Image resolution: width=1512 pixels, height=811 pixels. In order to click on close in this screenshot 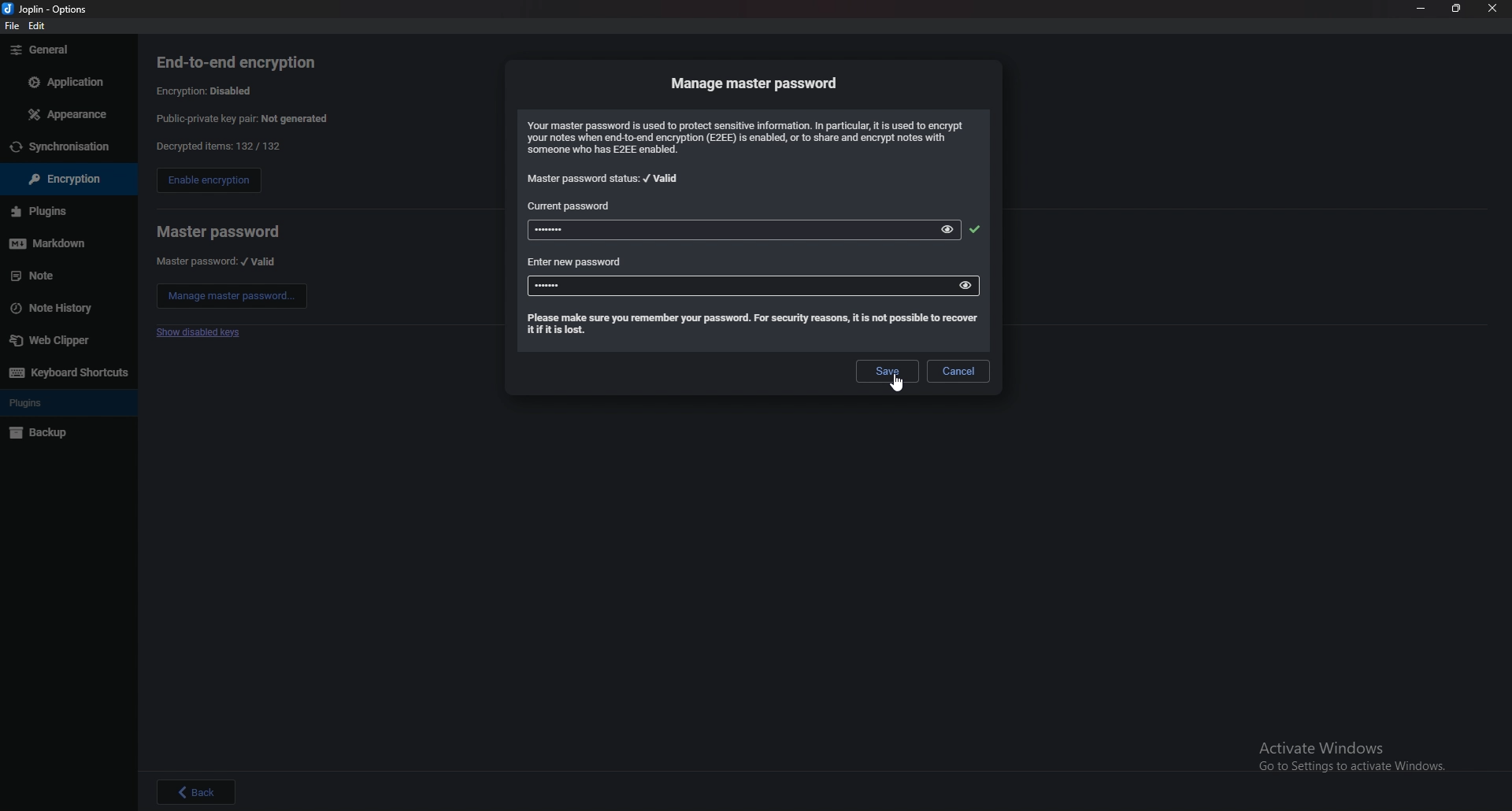, I will do `click(1494, 9)`.